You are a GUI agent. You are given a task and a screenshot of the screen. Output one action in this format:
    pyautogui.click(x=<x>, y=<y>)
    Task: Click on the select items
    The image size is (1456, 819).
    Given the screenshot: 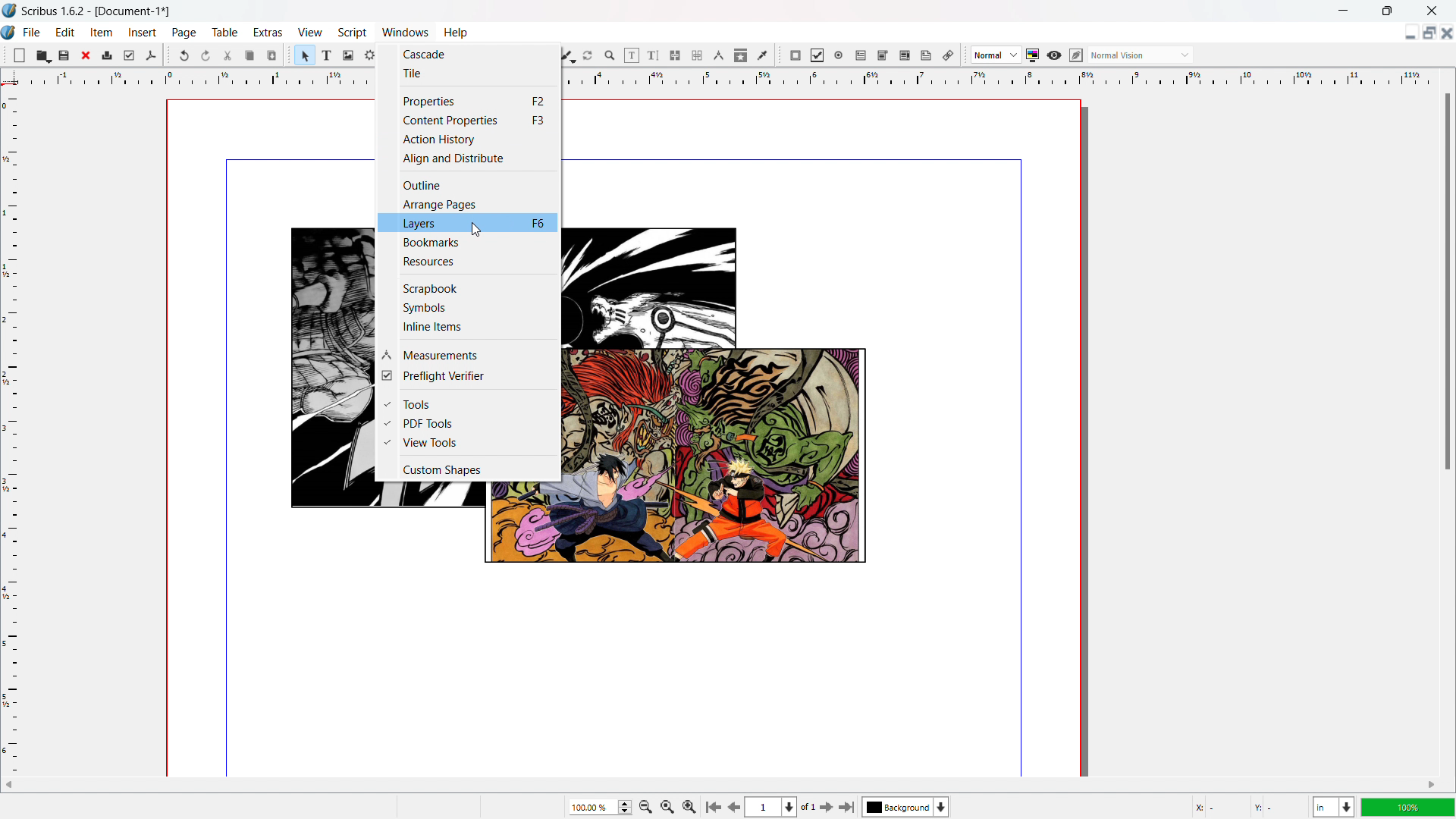 What is the action you would take?
    pyautogui.click(x=306, y=55)
    